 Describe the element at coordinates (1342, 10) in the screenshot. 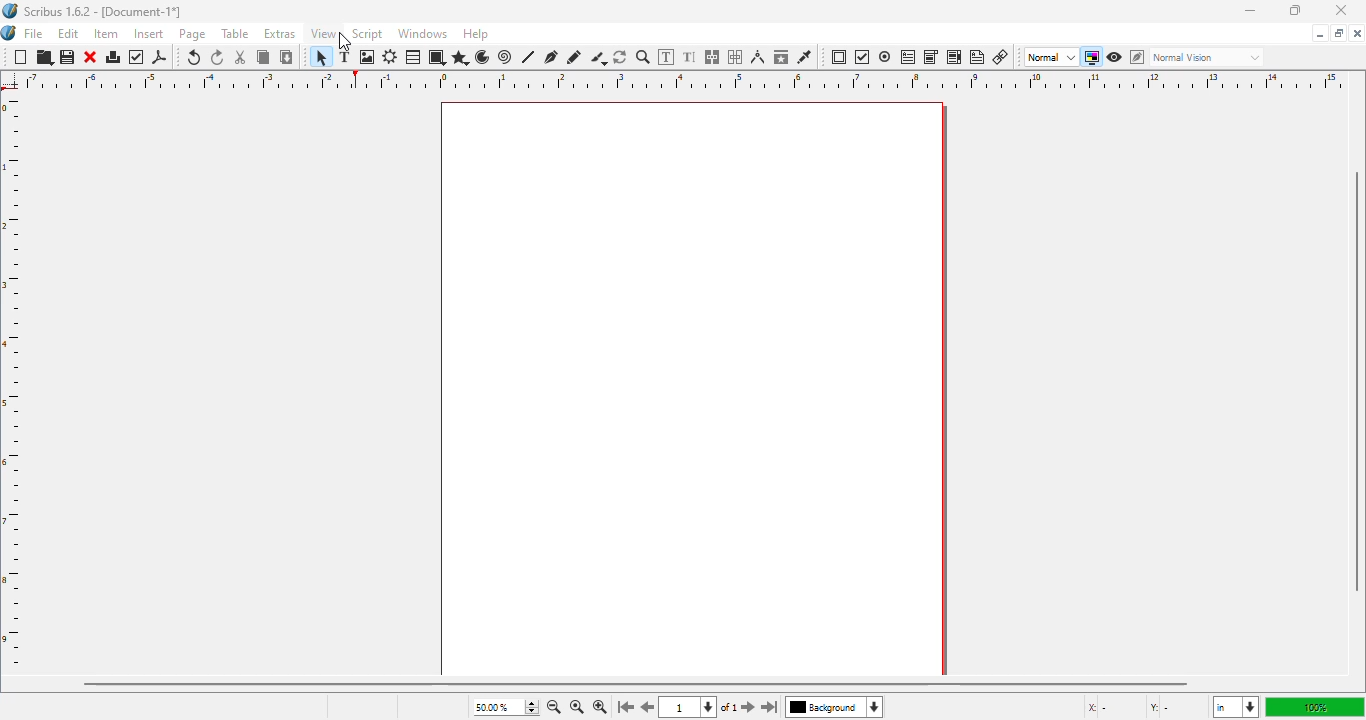

I see `close` at that location.